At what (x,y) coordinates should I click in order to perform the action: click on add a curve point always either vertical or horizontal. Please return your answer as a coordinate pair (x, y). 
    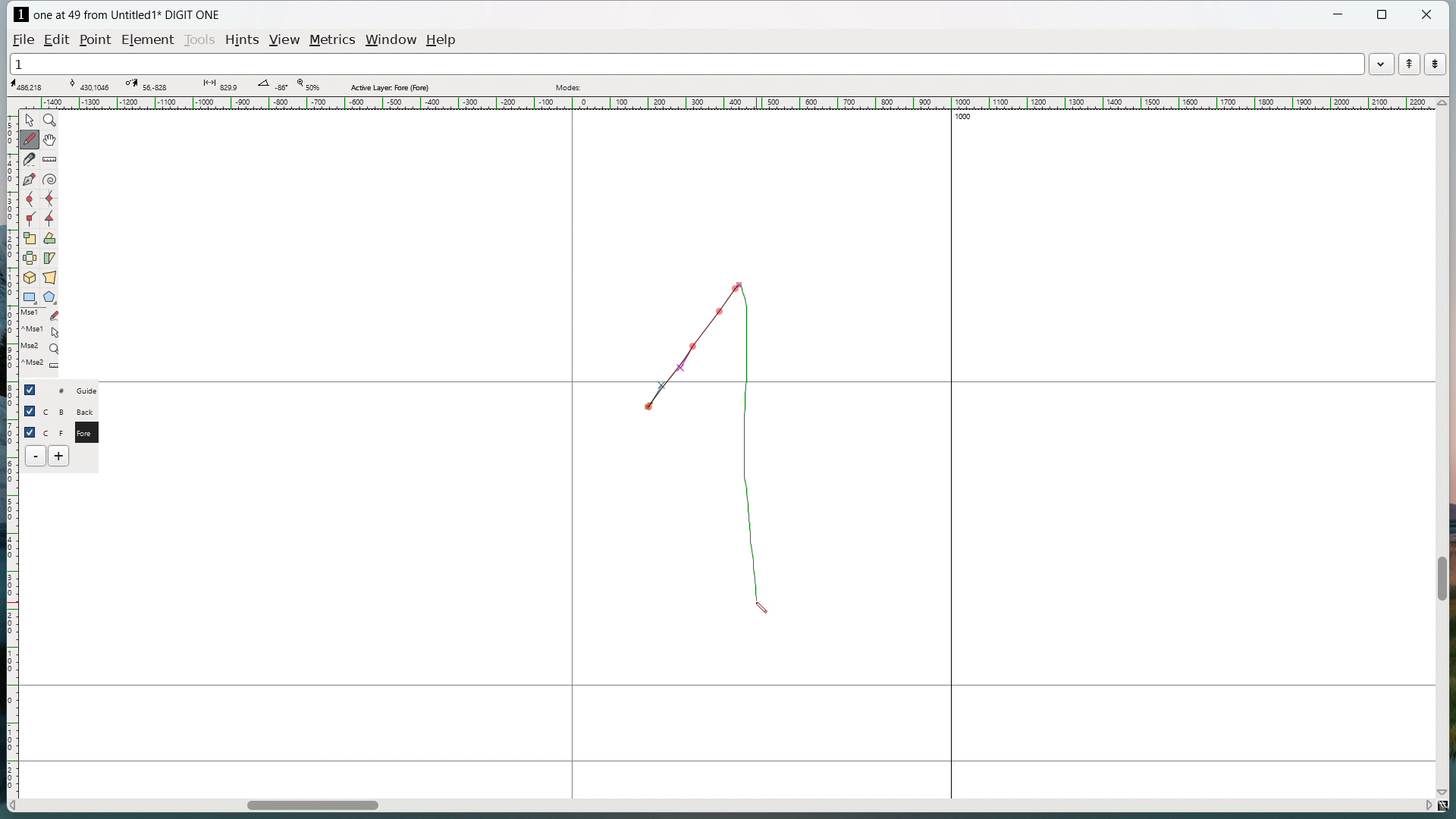
    Looking at the image, I should click on (49, 199).